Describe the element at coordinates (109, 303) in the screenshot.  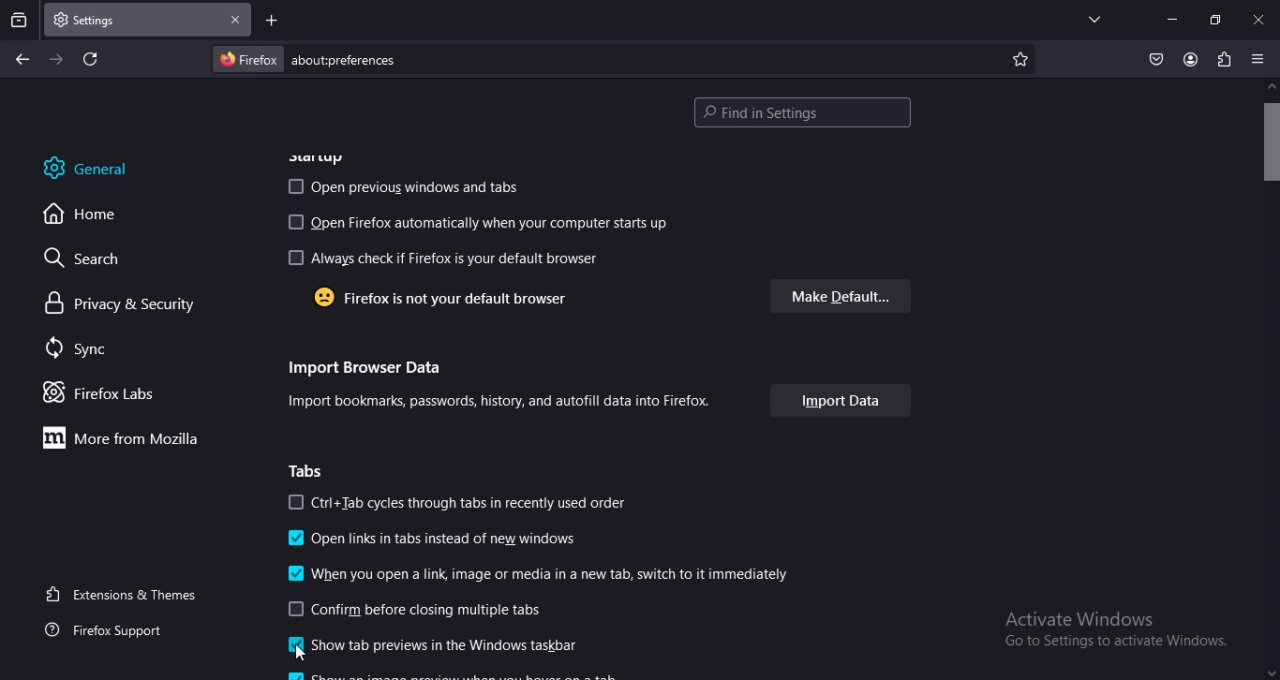
I see `privacy& security` at that location.